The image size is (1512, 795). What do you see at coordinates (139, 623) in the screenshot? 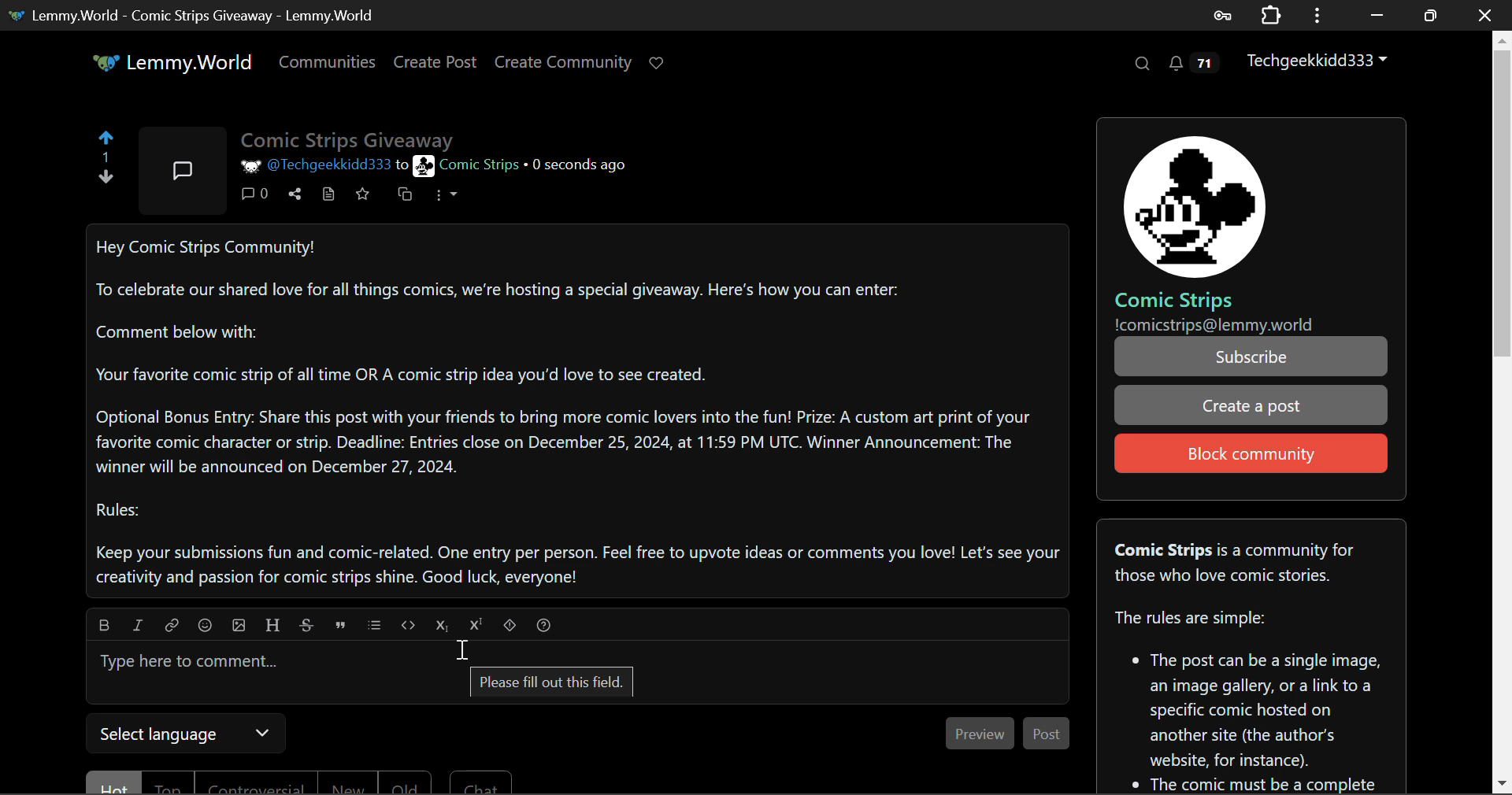
I see `link` at bounding box center [139, 623].